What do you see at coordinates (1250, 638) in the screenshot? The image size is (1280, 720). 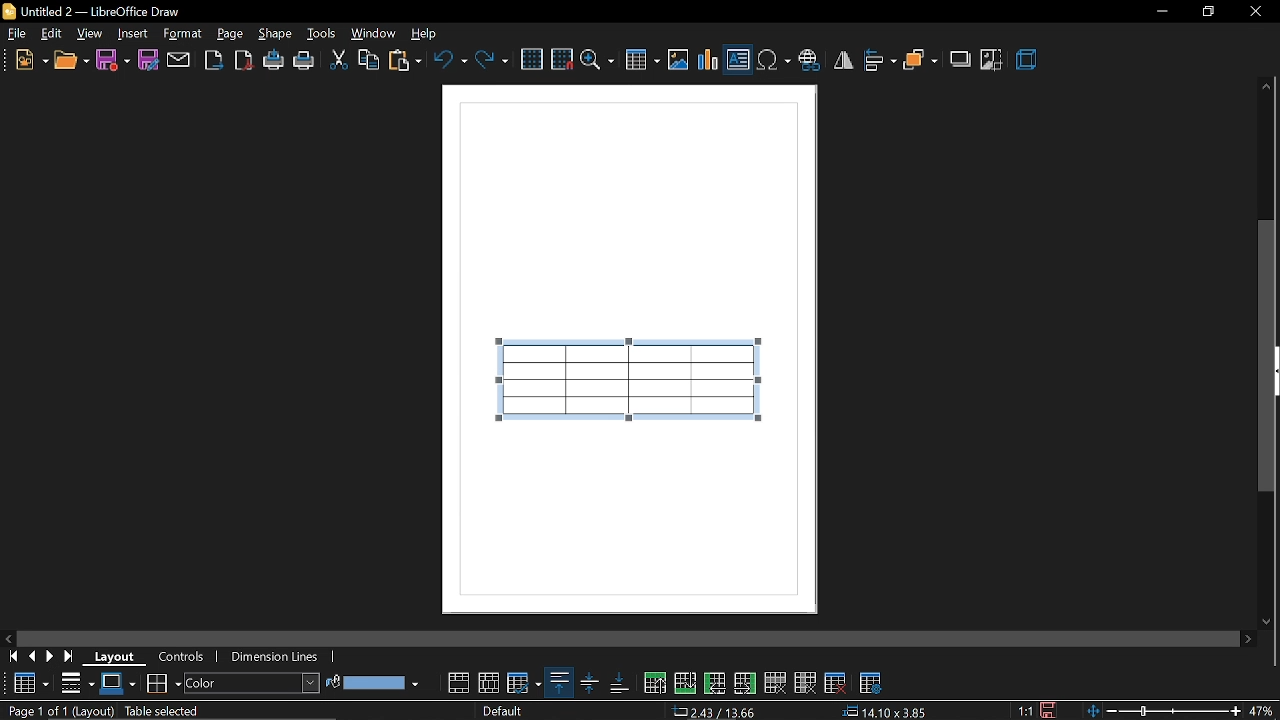 I see `move right` at bounding box center [1250, 638].